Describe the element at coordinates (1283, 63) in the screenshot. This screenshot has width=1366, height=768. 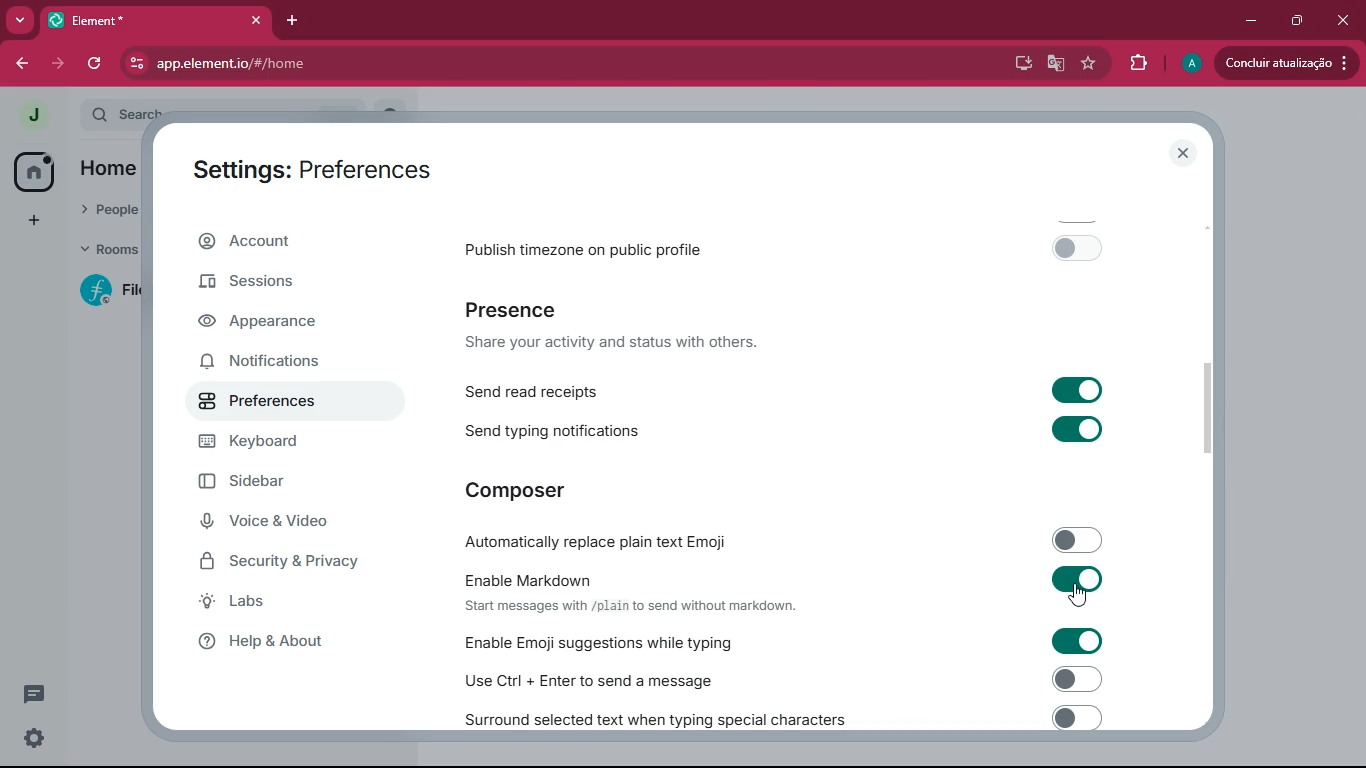
I see `update` at that location.